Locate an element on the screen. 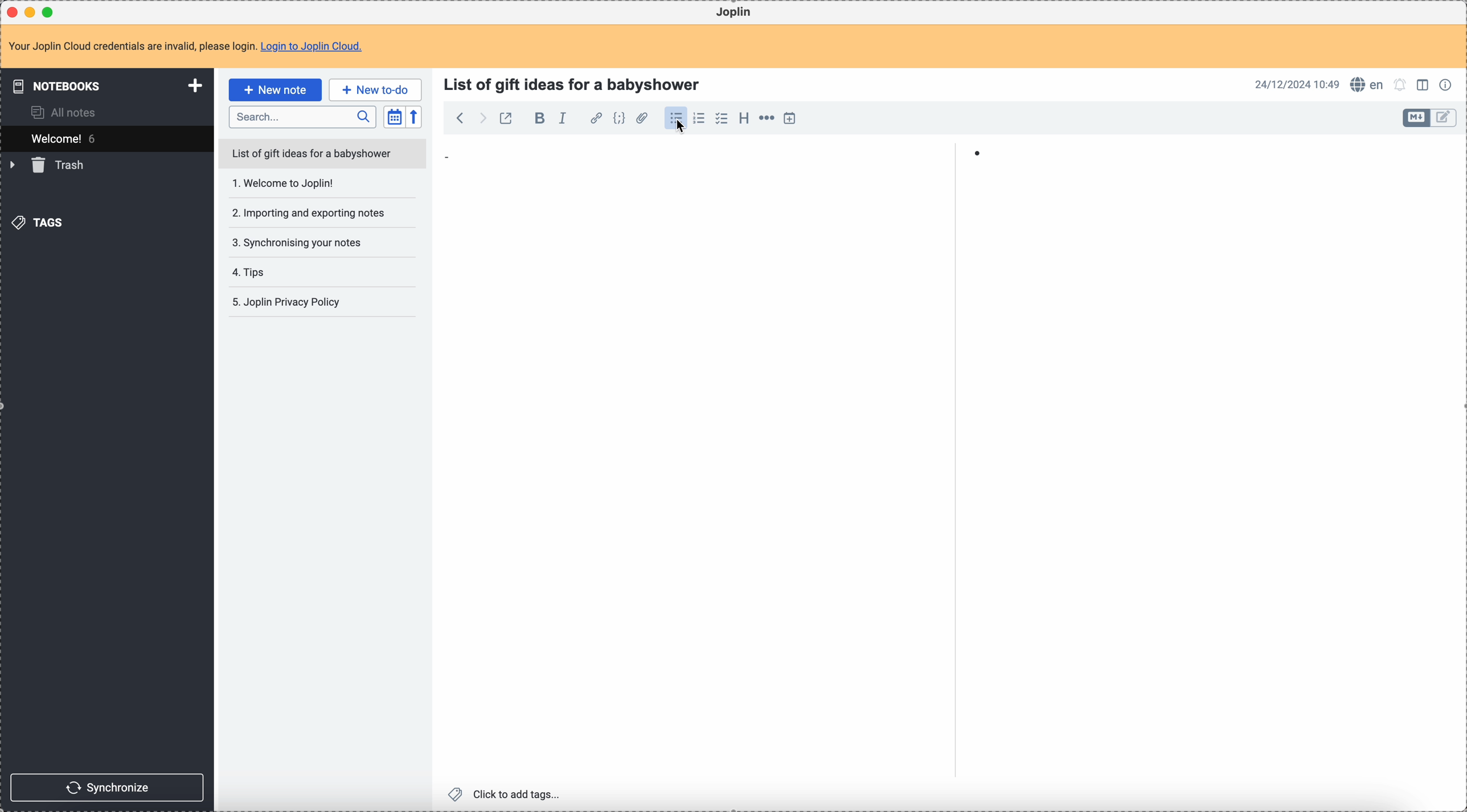 The width and height of the screenshot is (1467, 812). click to add tags is located at coordinates (505, 794).